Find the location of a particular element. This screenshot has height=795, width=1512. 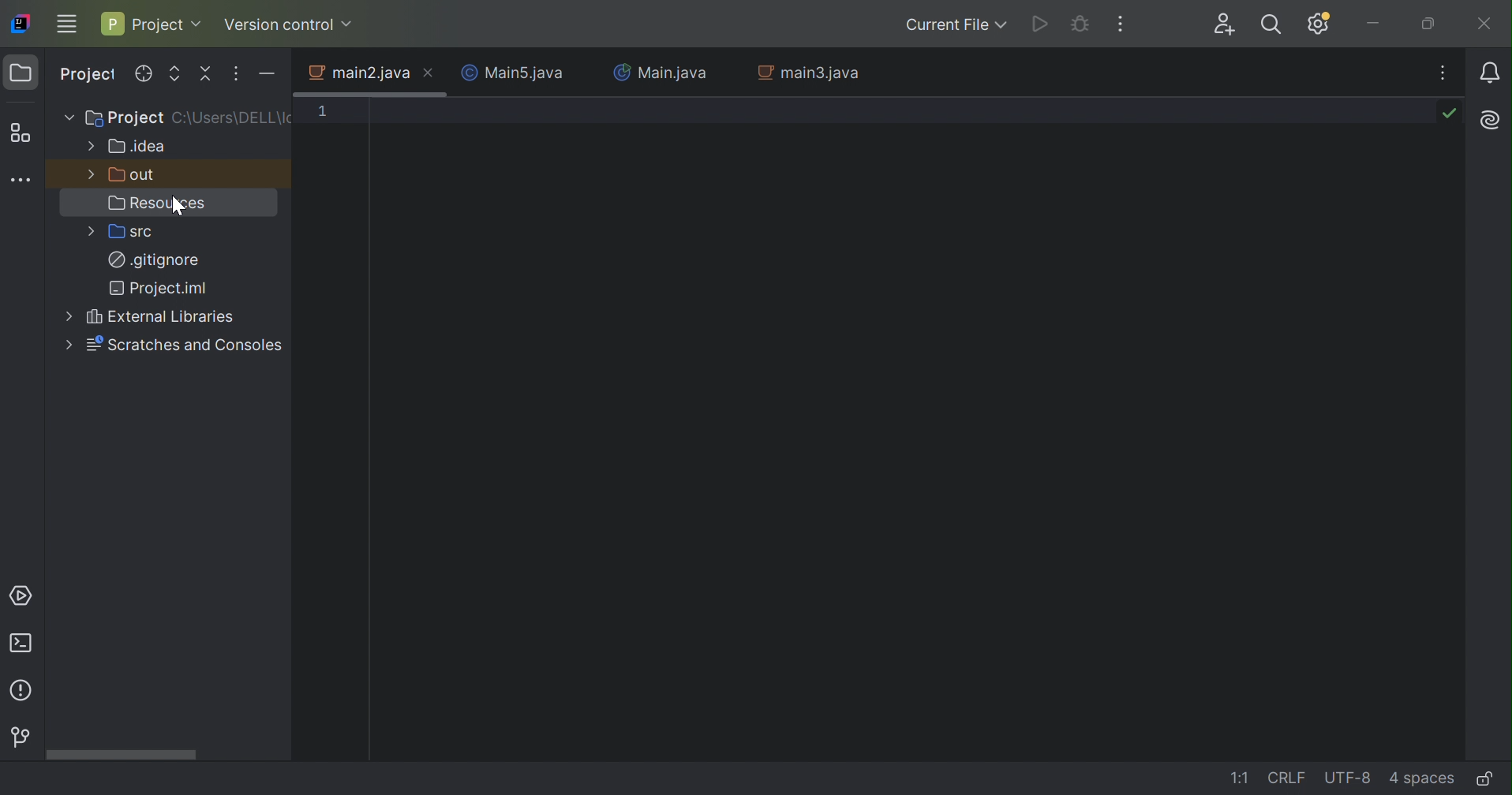

Structure is located at coordinates (23, 132).